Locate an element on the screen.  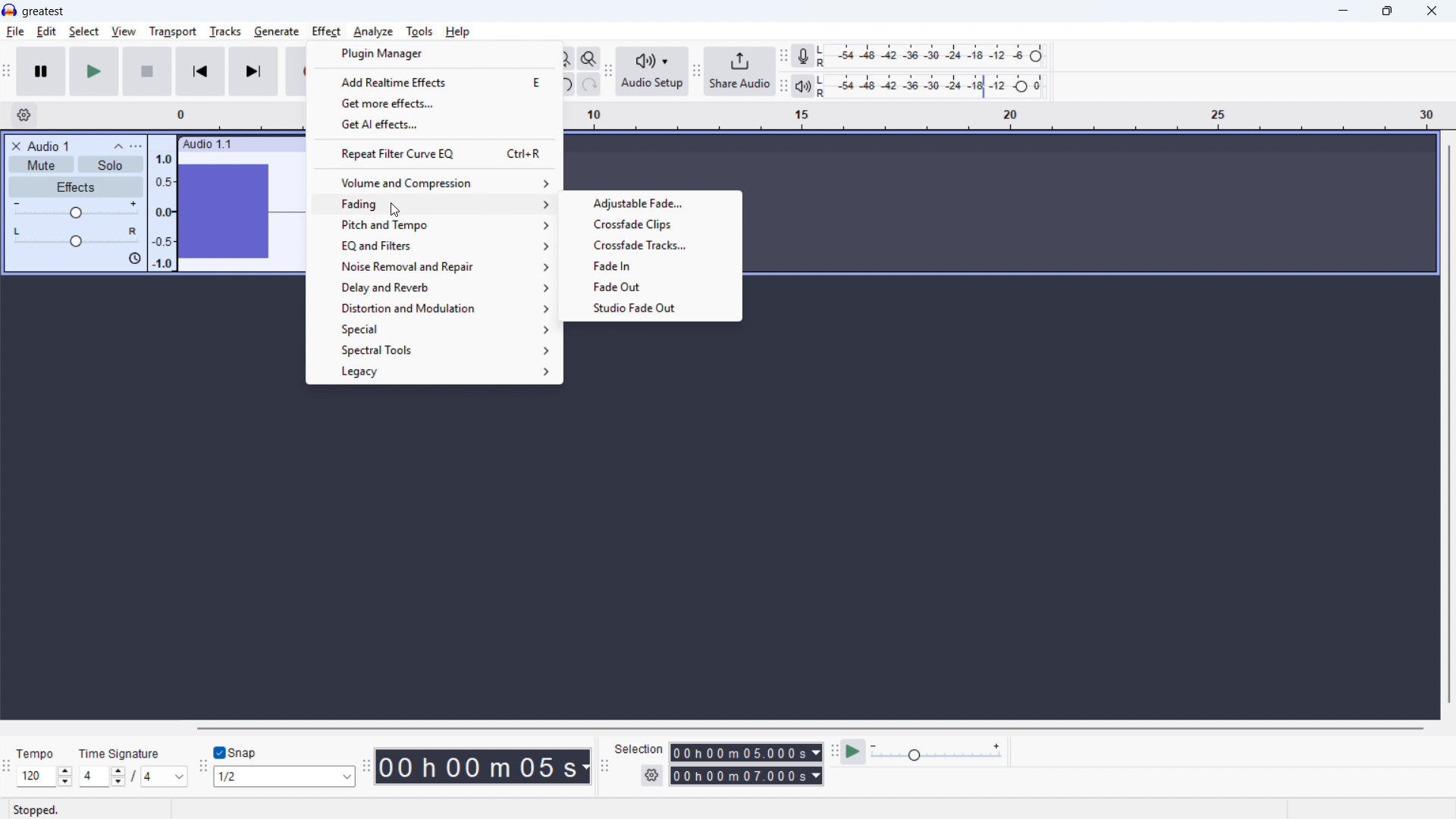
Share audio  is located at coordinates (739, 71).